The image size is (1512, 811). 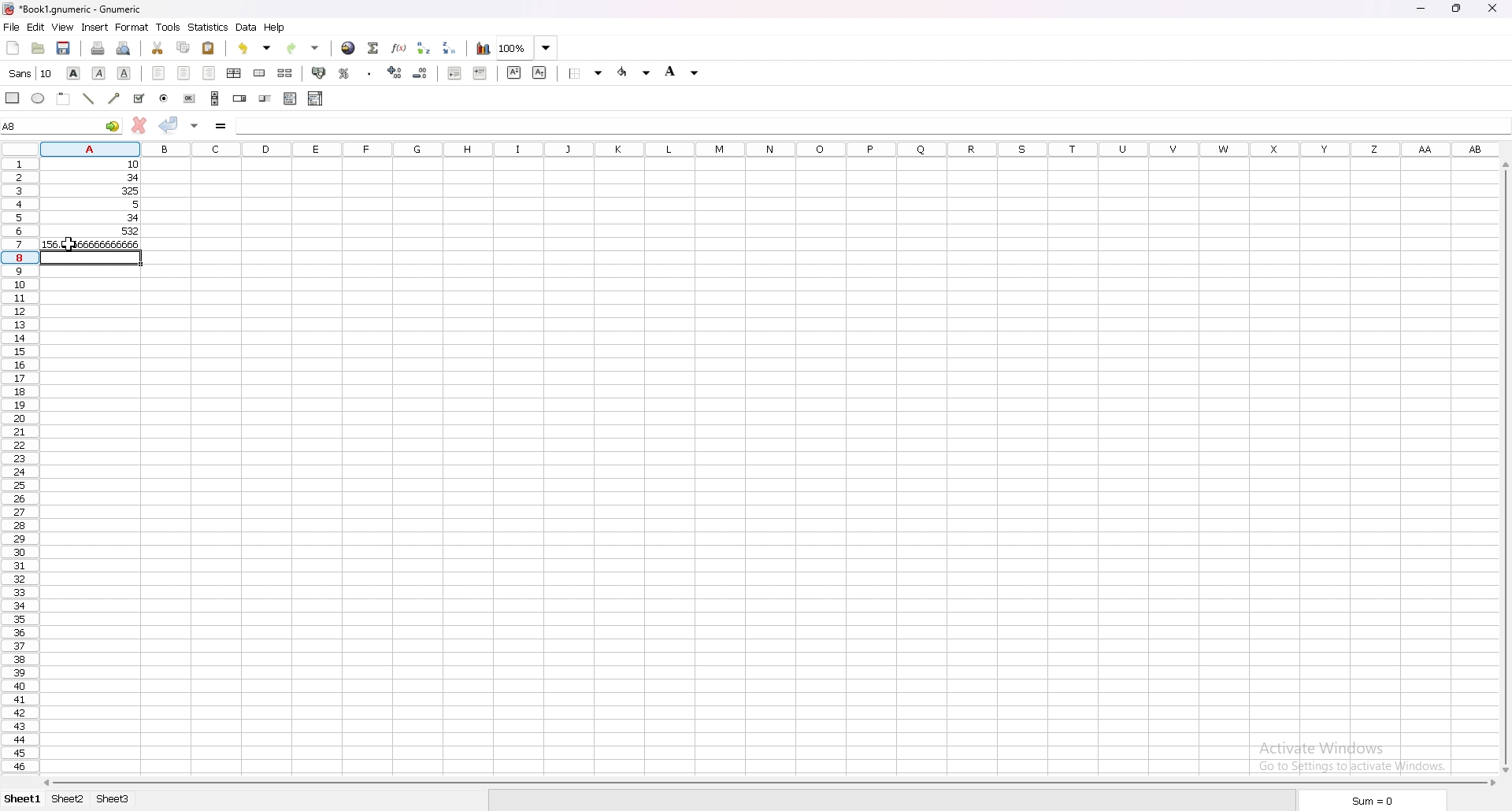 I want to click on 5, so click(x=98, y=205).